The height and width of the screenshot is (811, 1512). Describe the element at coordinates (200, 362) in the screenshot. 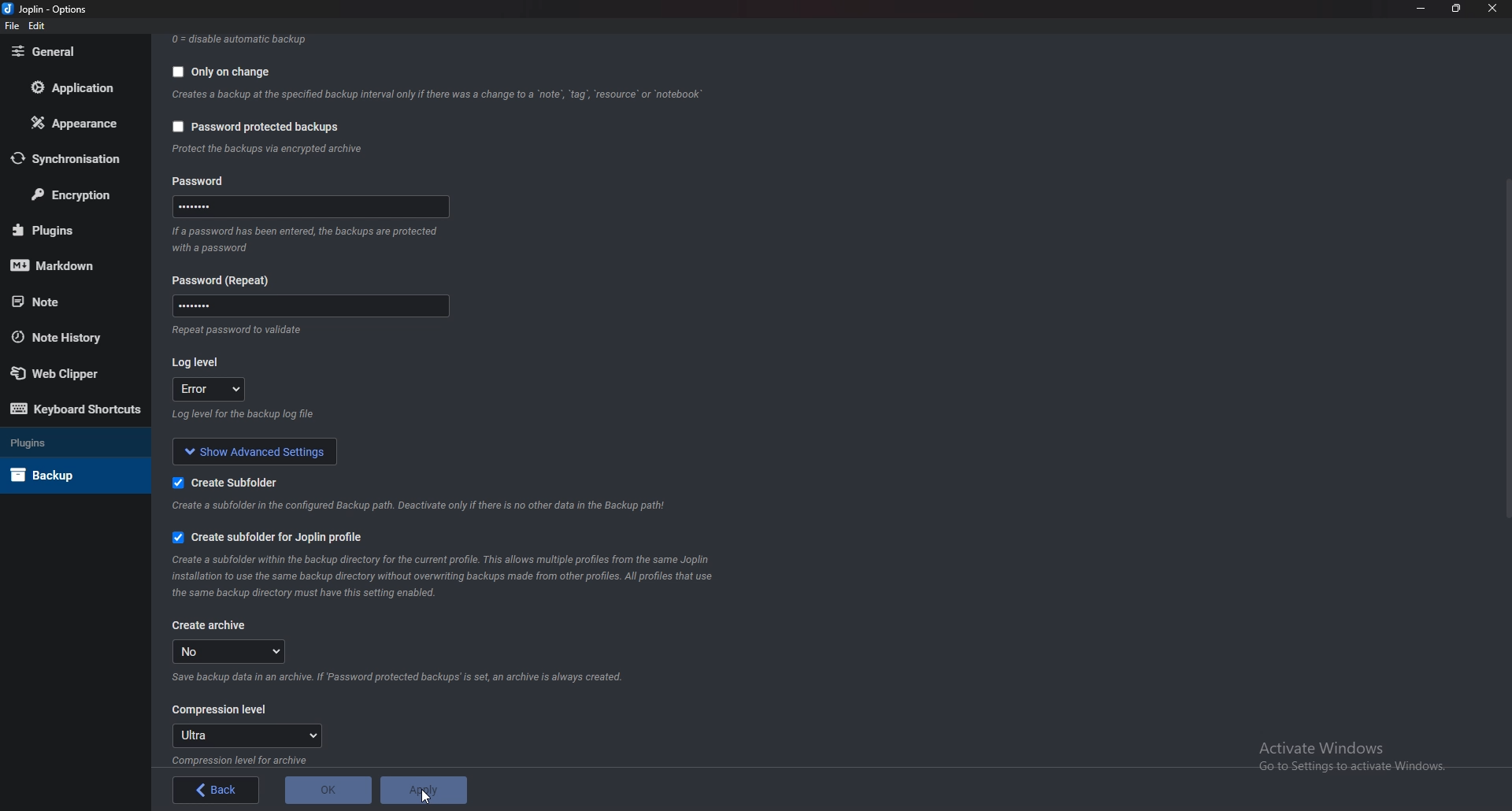

I see `Log level` at that location.